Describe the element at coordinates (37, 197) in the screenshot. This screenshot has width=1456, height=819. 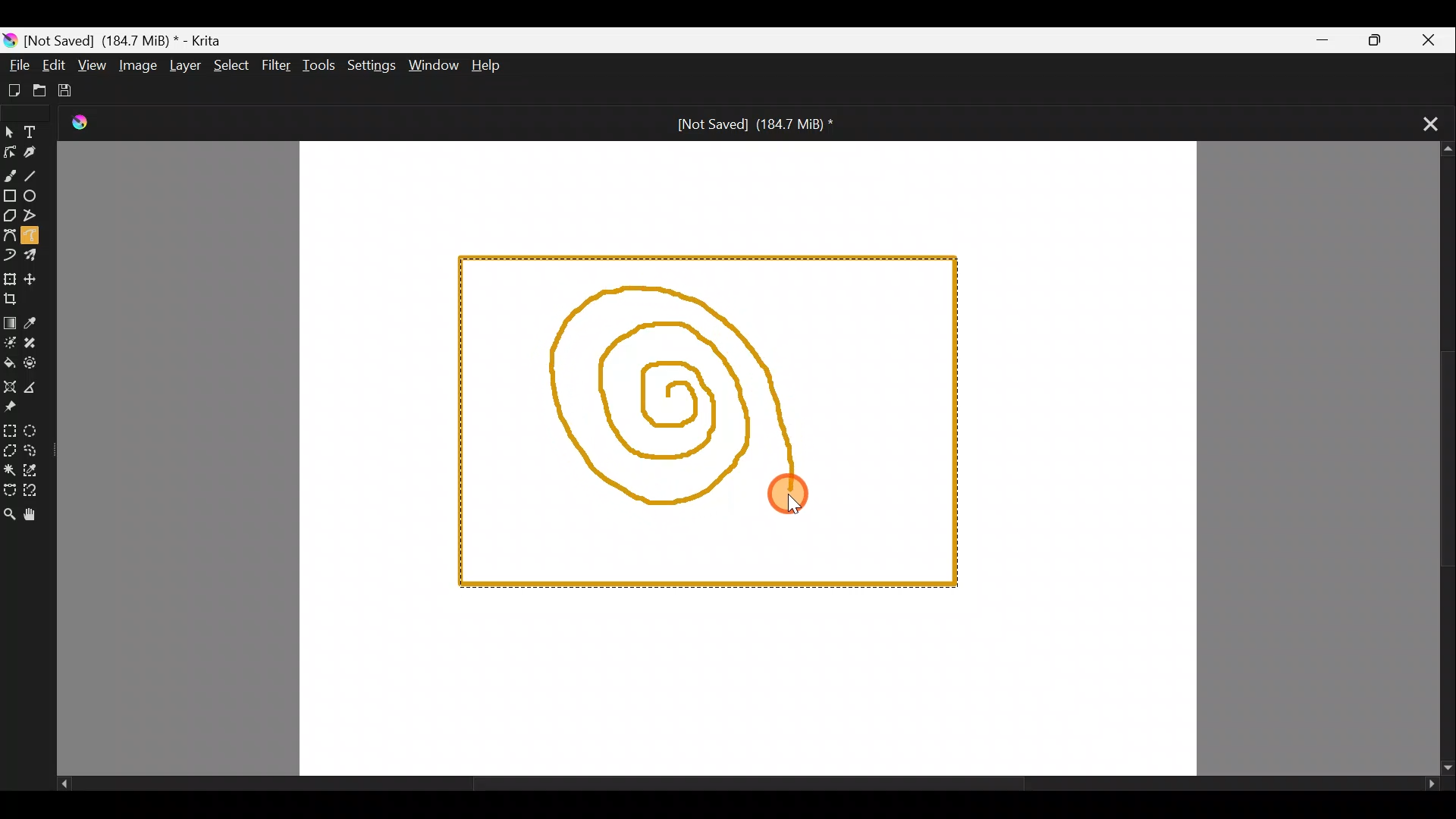
I see `Ellipse tool` at that location.